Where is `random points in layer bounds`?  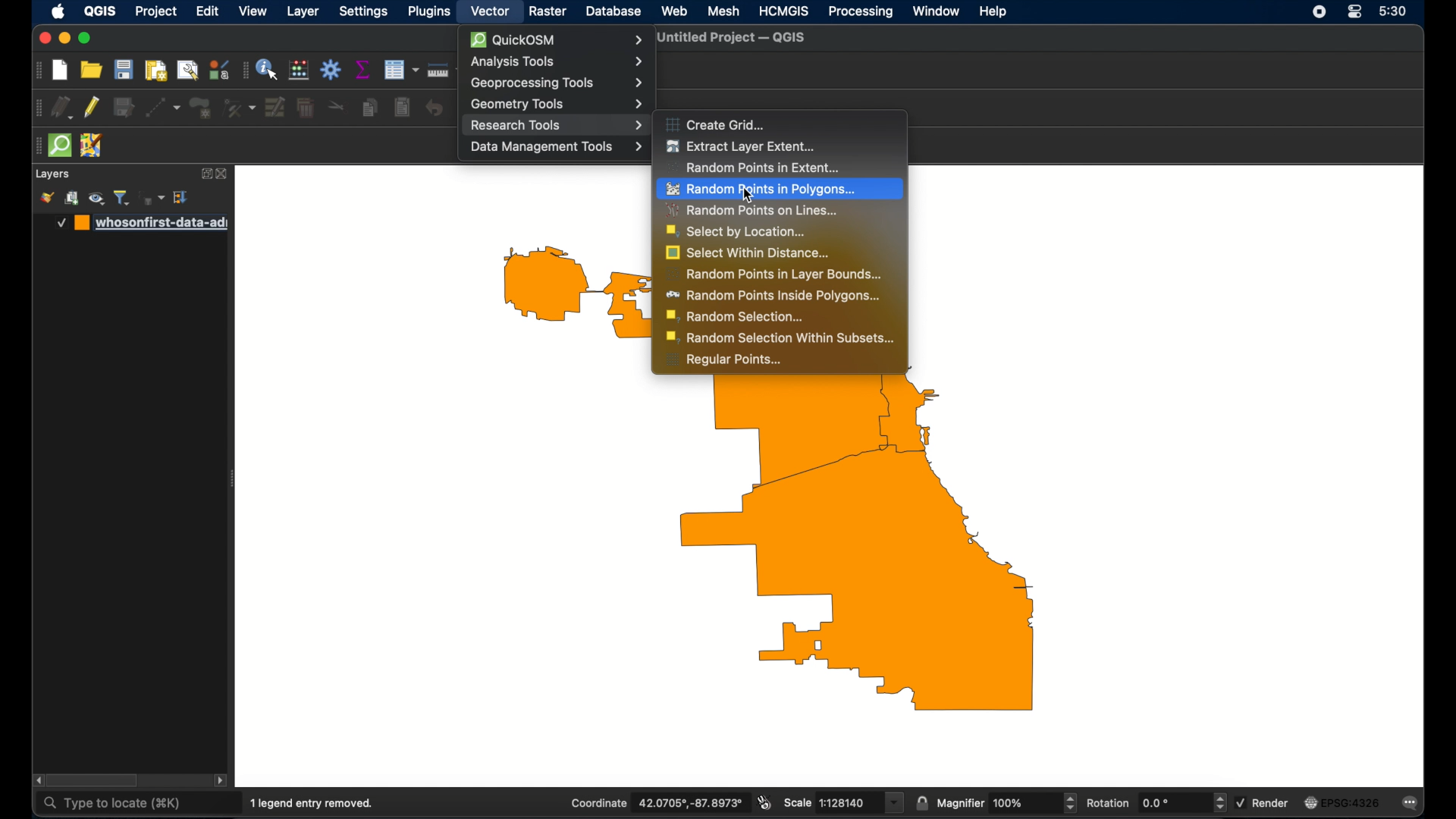
random points in layer bounds is located at coordinates (771, 274).